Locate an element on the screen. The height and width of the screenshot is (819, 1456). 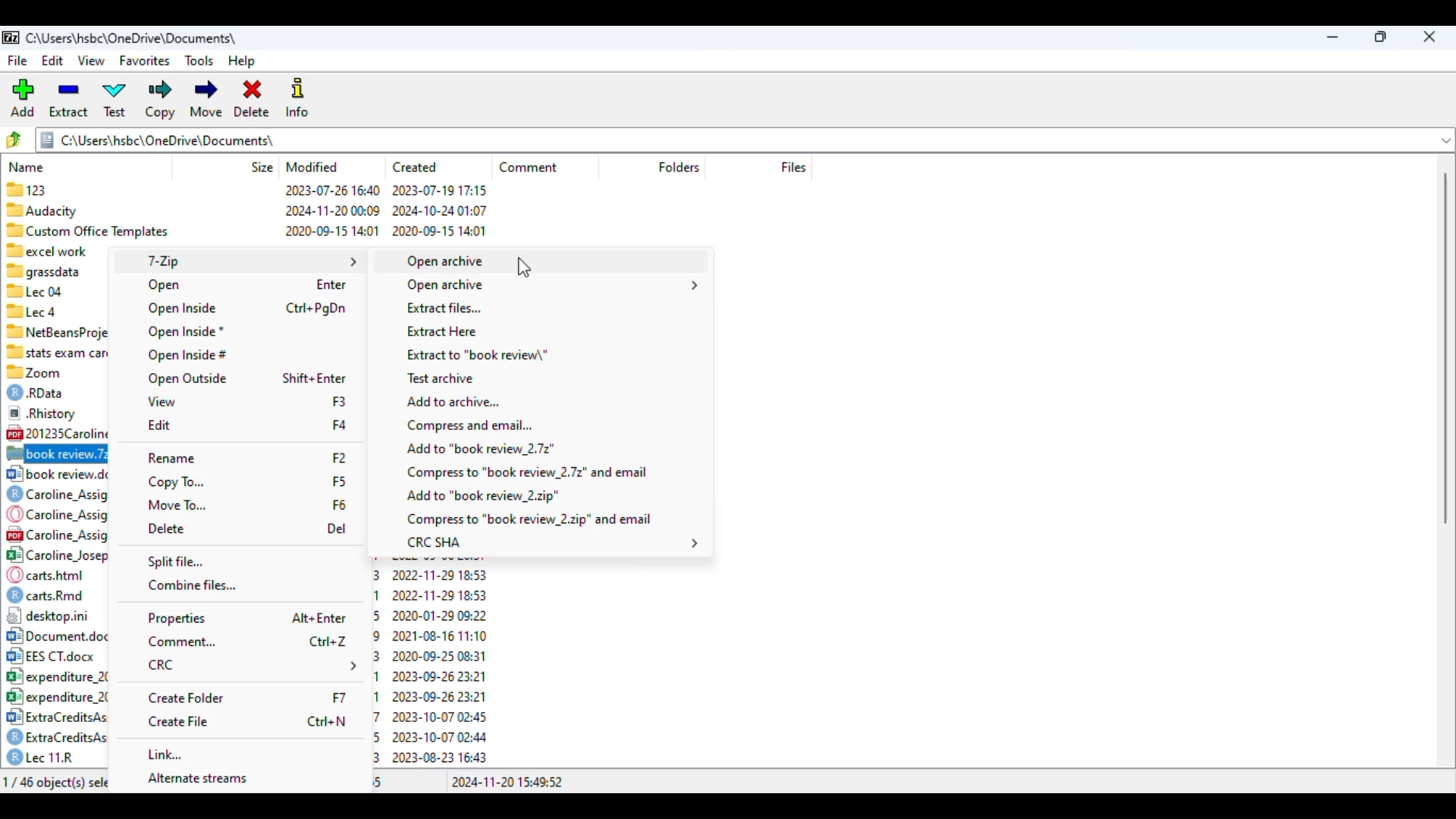
create folder is located at coordinates (185, 698).